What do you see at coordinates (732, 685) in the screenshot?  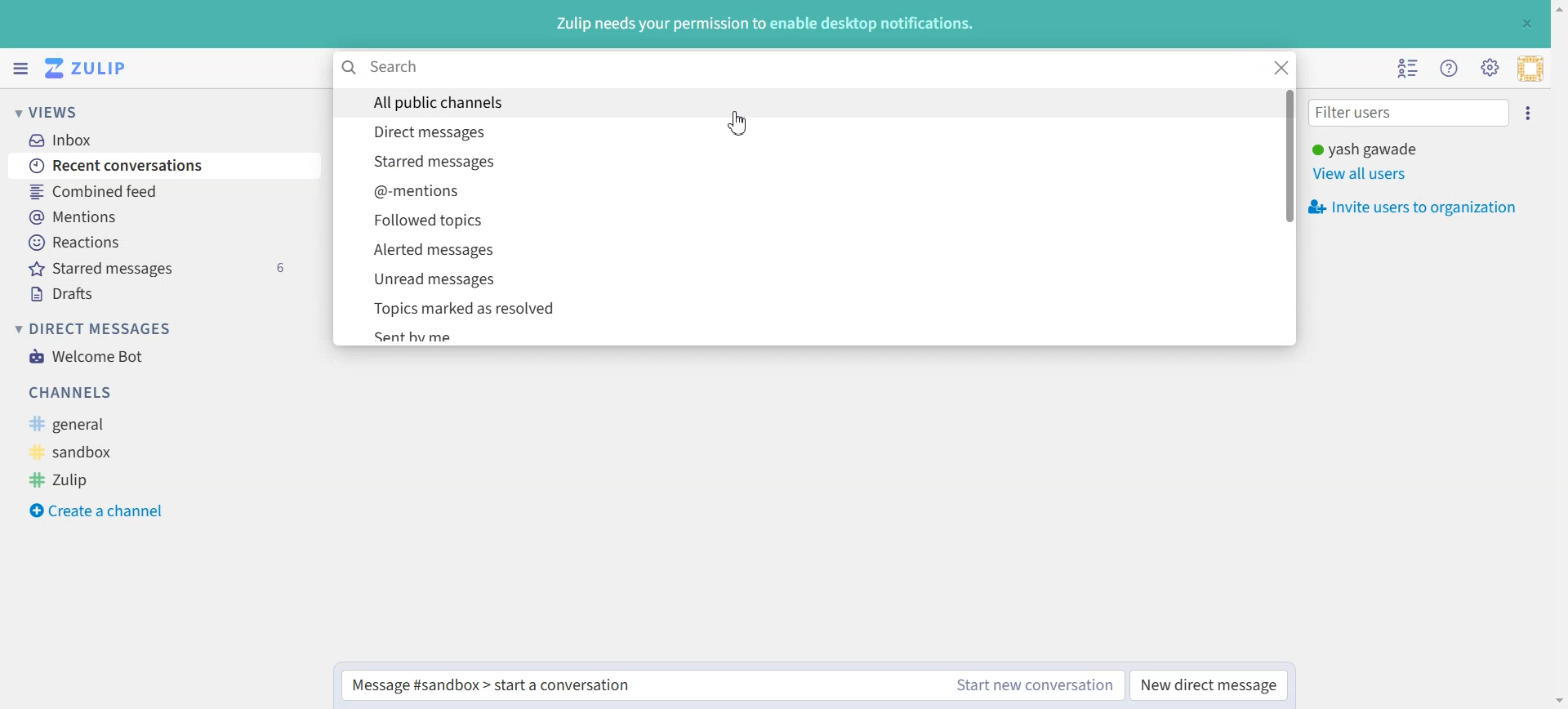 I see `Message #sandbox > start a conversation Start new conversation` at bounding box center [732, 685].